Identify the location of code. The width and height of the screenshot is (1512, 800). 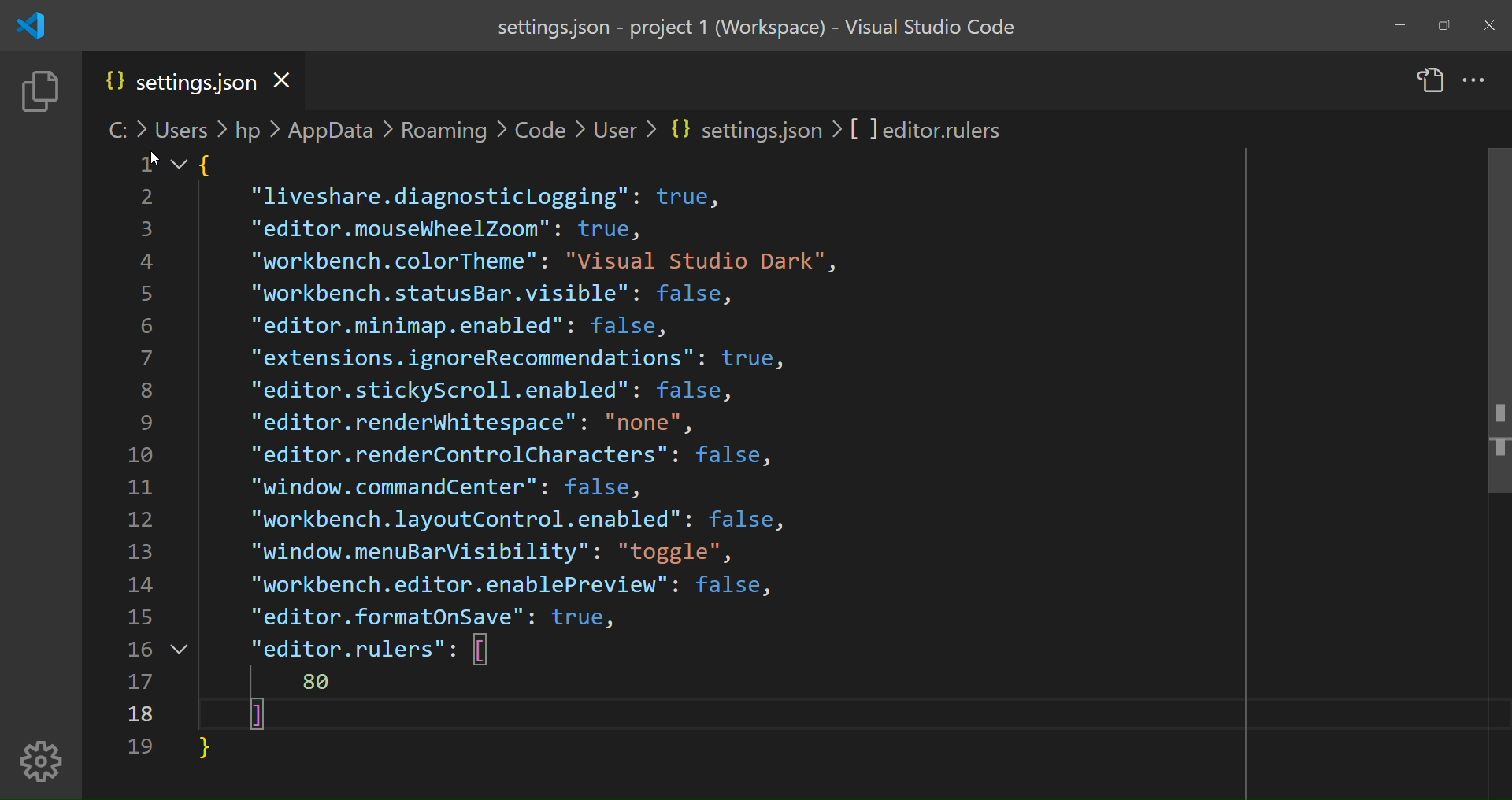
(520, 390).